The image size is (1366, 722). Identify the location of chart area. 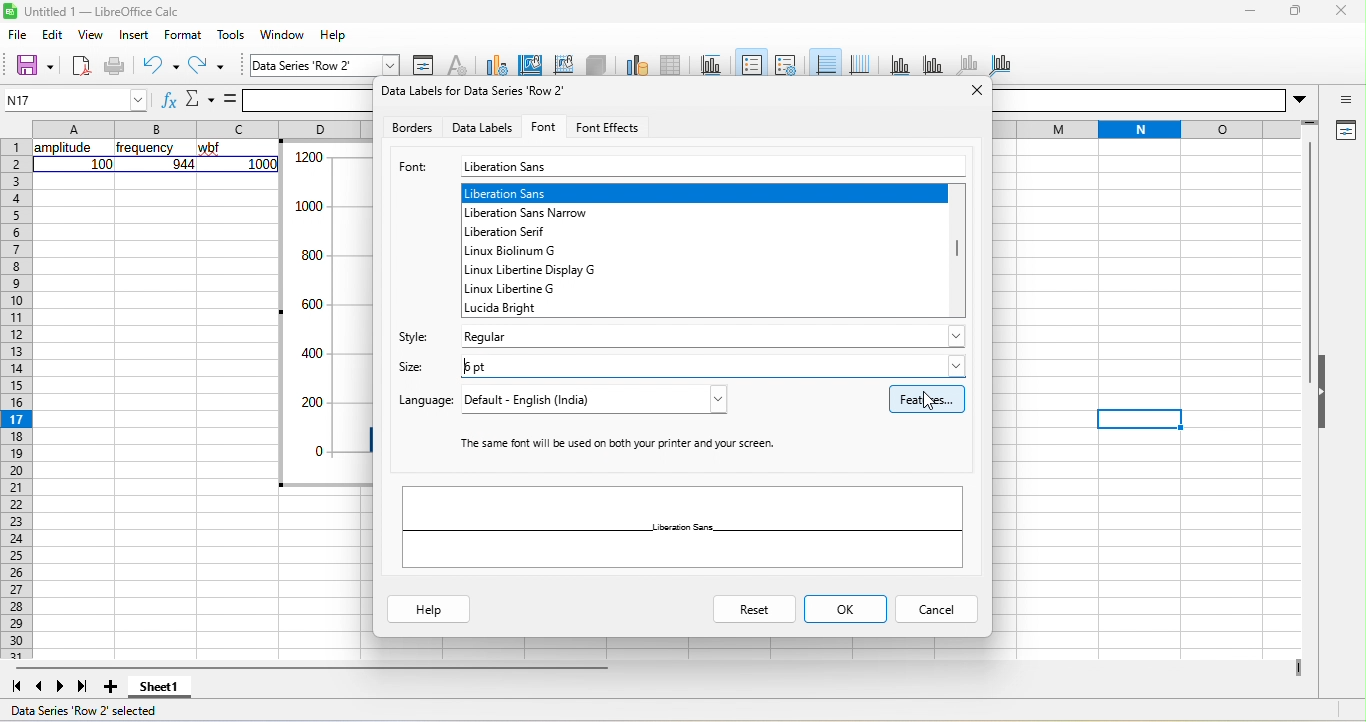
(526, 63).